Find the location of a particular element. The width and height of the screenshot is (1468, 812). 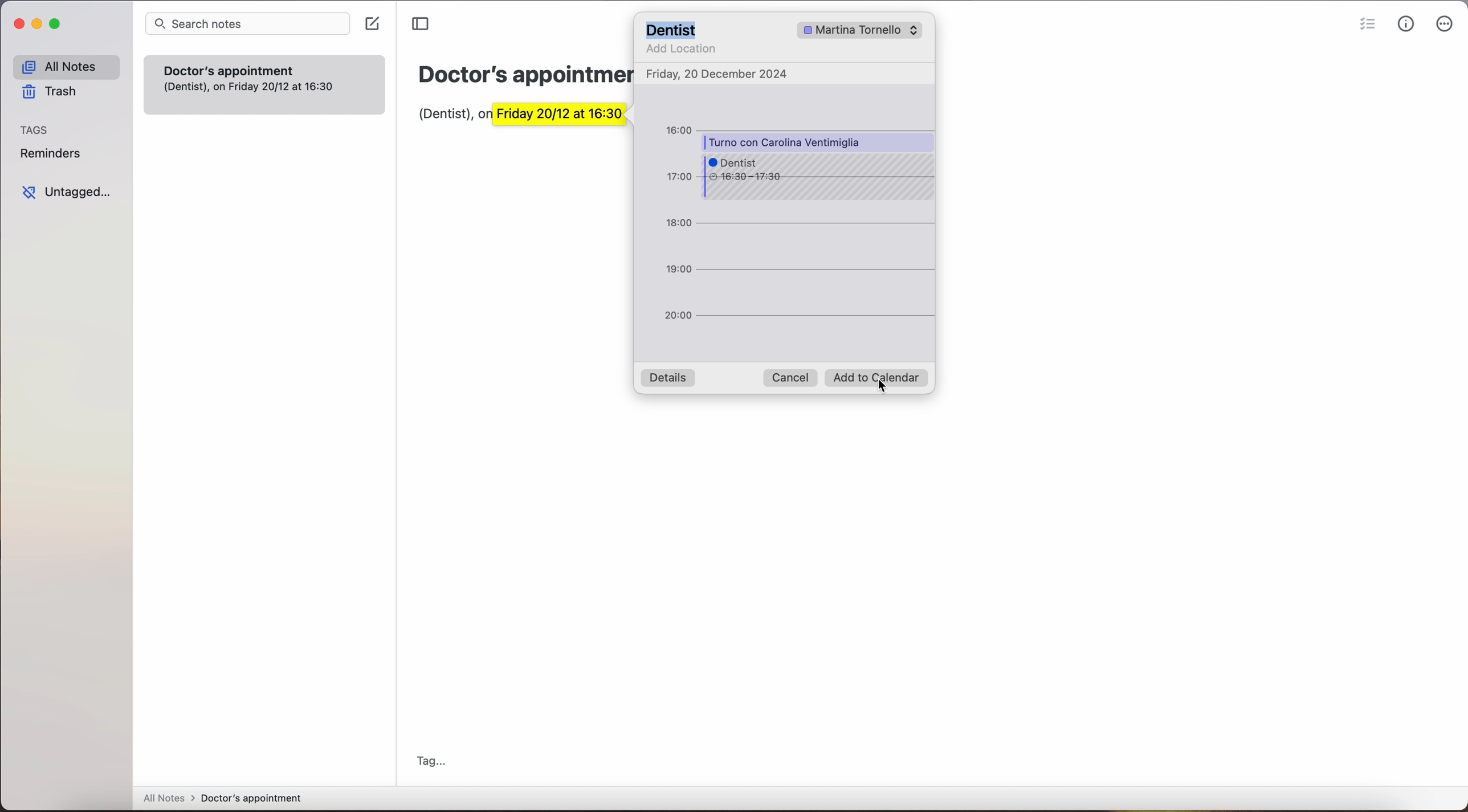

Cursor is located at coordinates (888, 398).